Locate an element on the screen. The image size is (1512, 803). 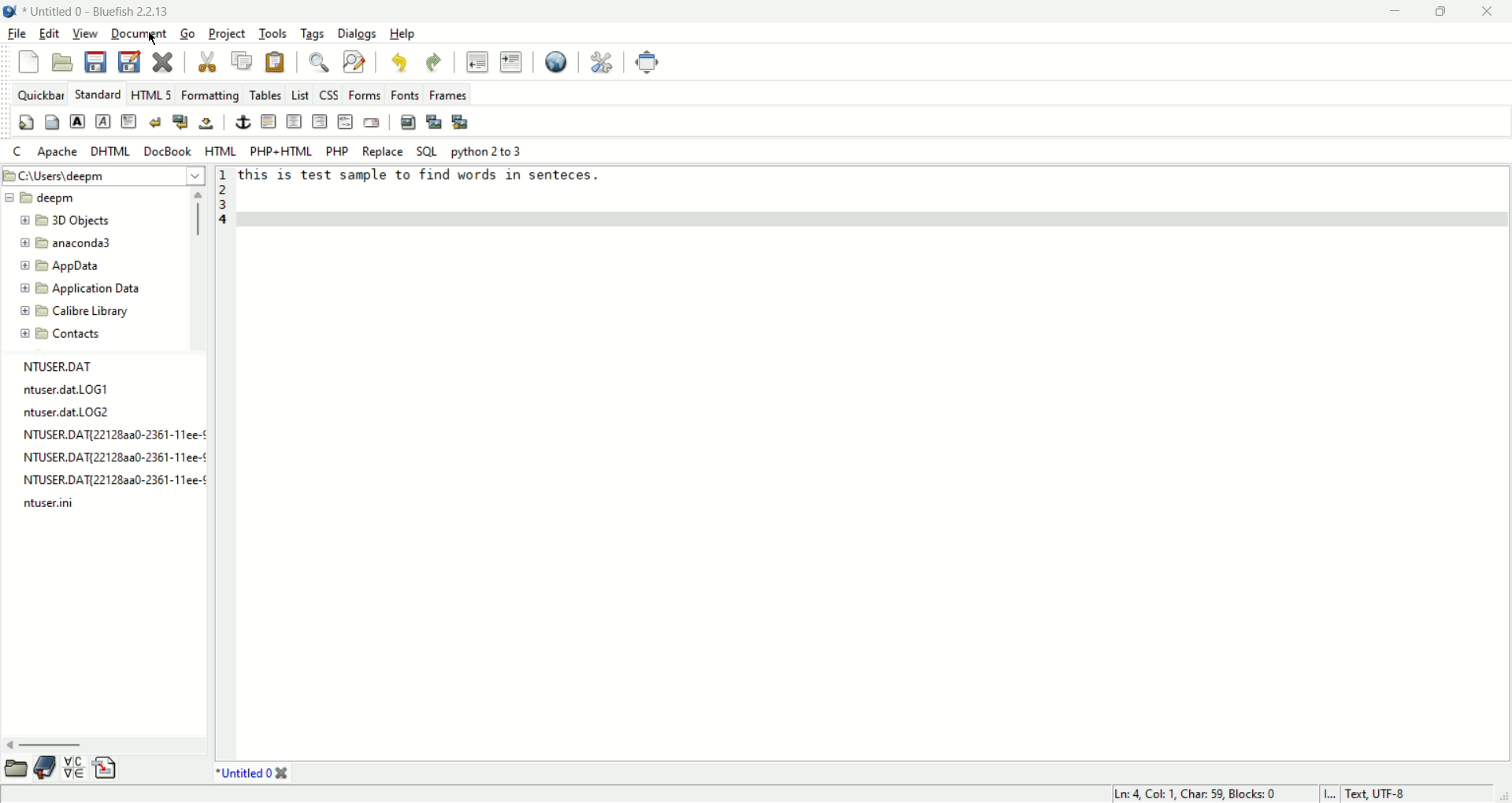
Text, UTF-8 is located at coordinates (1377, 794).